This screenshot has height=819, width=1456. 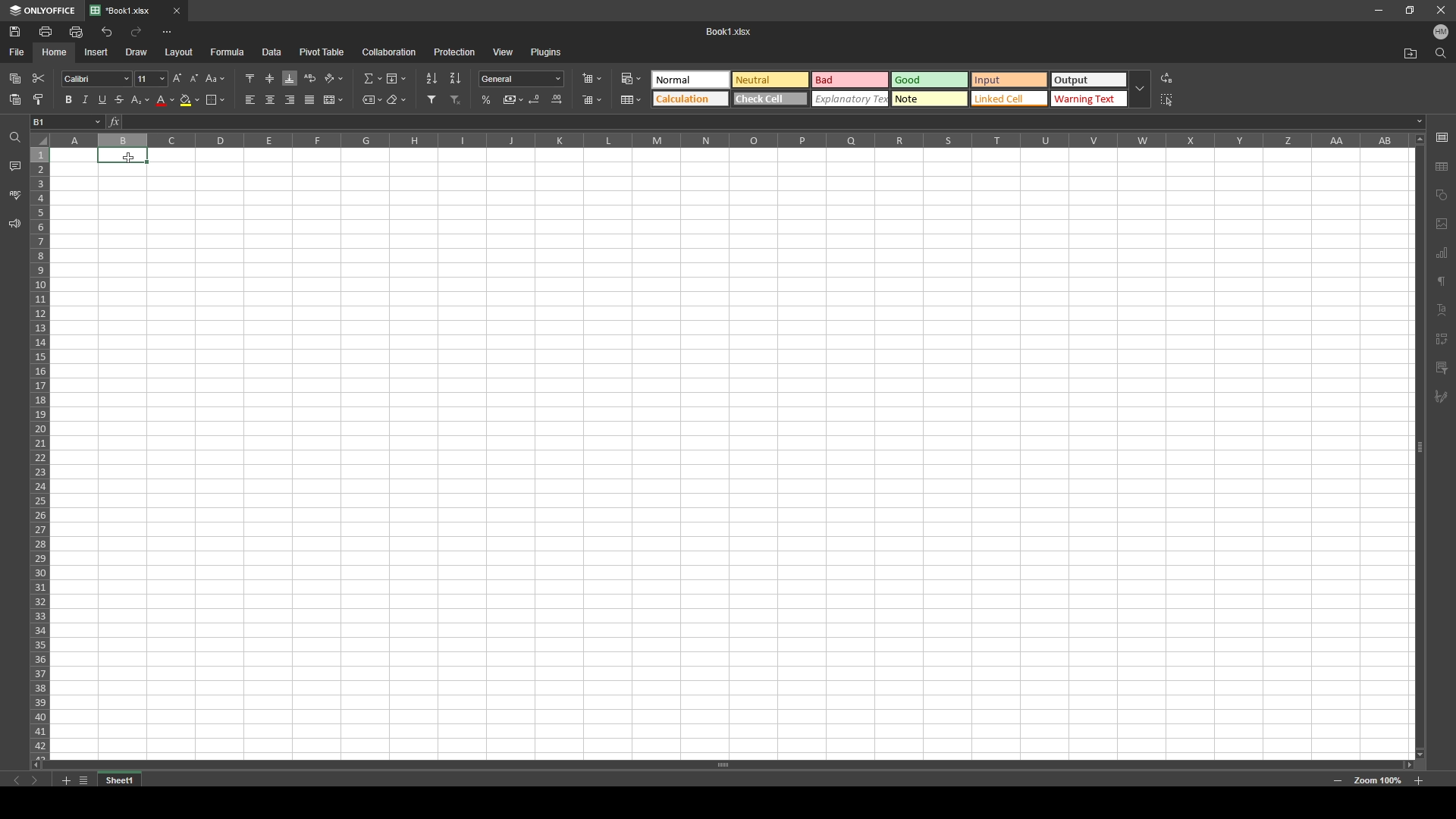 I want to click on Natural, so click(x=769, y=79).